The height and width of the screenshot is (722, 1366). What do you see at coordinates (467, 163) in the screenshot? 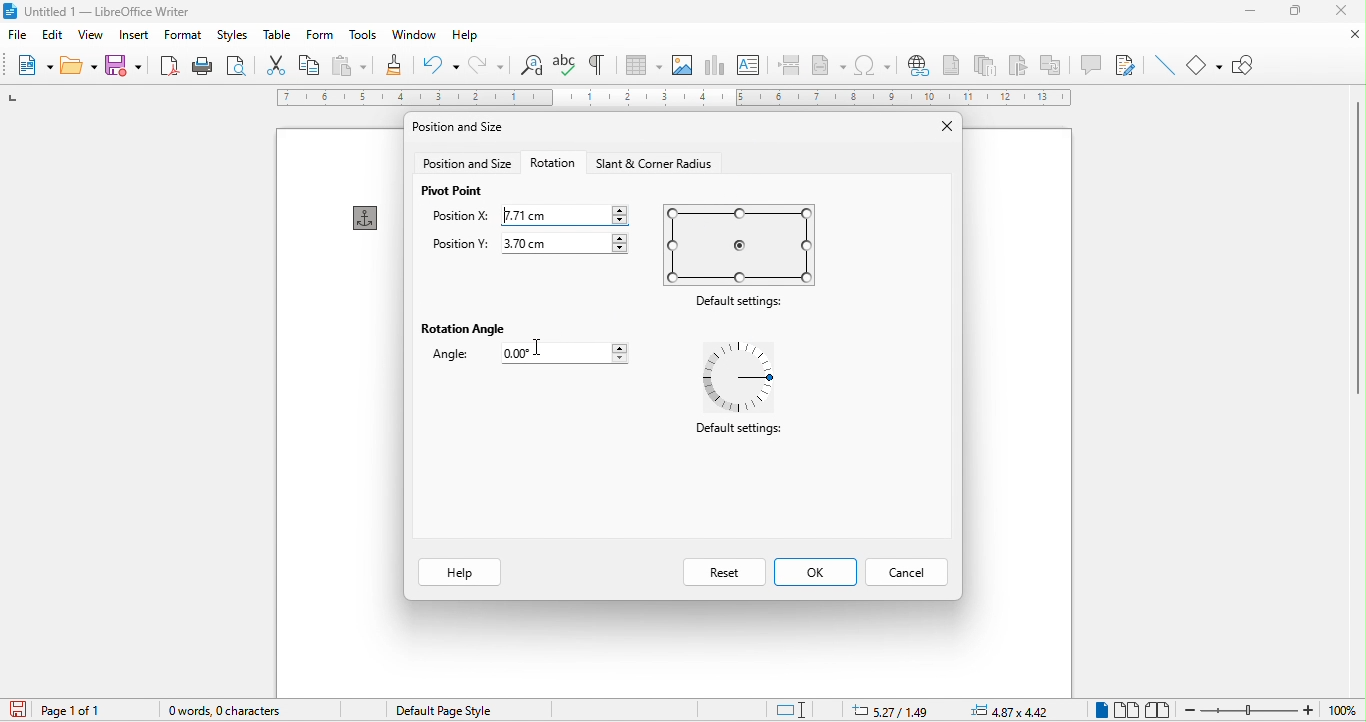
I see `position and size` at bounding box center [467, 163].